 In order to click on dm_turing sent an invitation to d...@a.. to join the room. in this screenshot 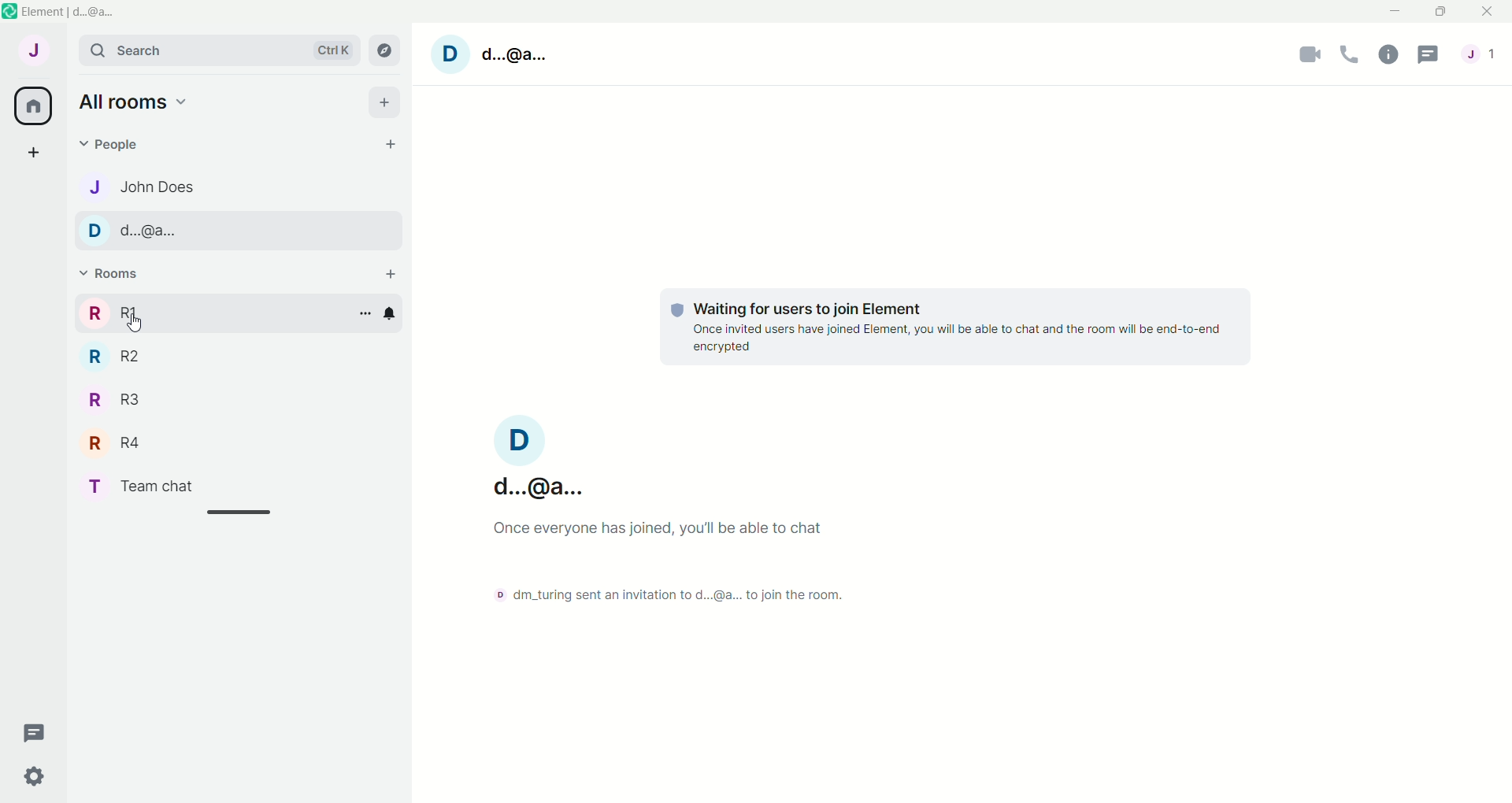, I will do `click(675, 594)`.